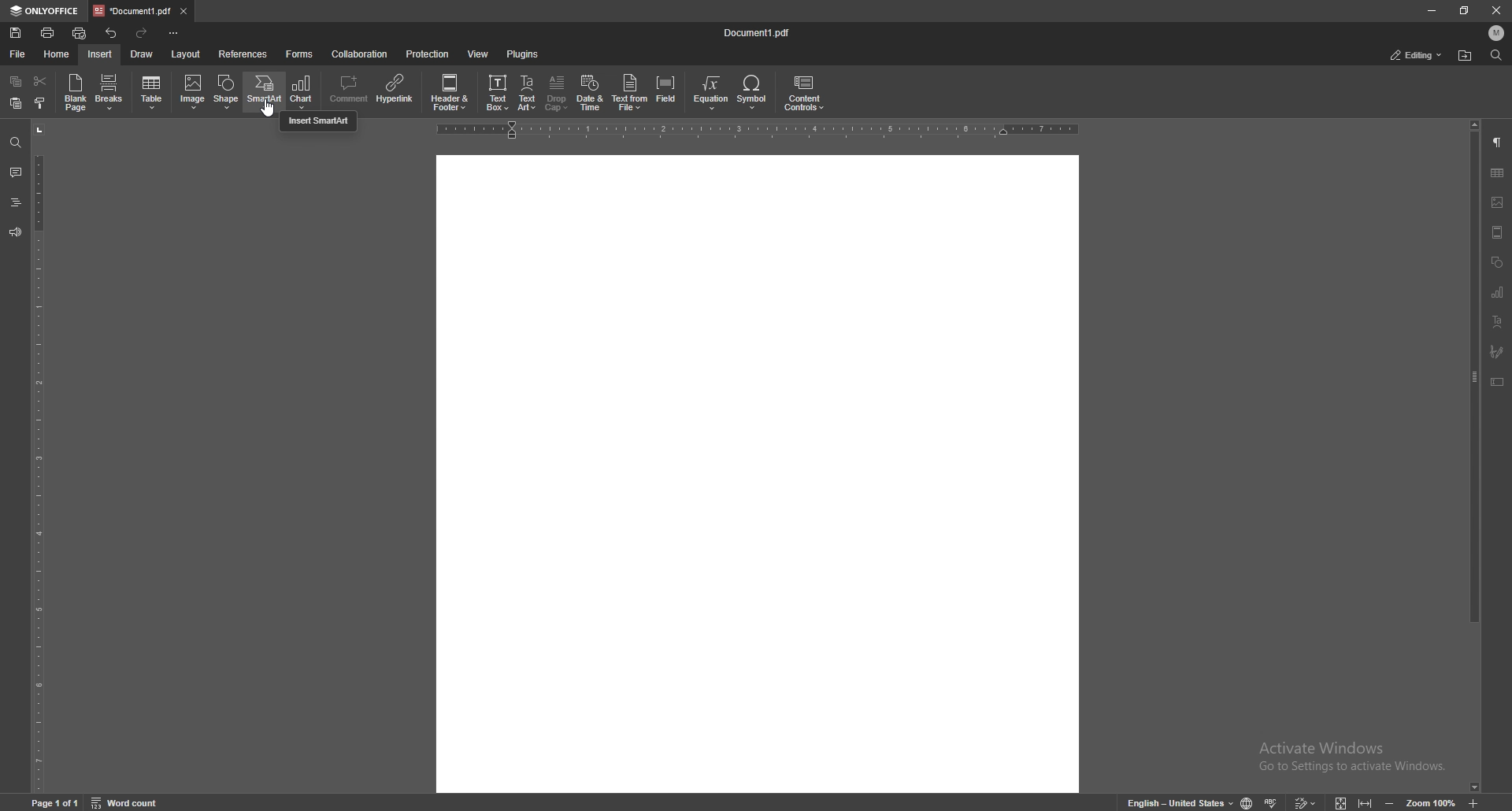  What do you see at coordinates (757, 475) in the screenshot?
I see `document` at bounding box center [757, 475].